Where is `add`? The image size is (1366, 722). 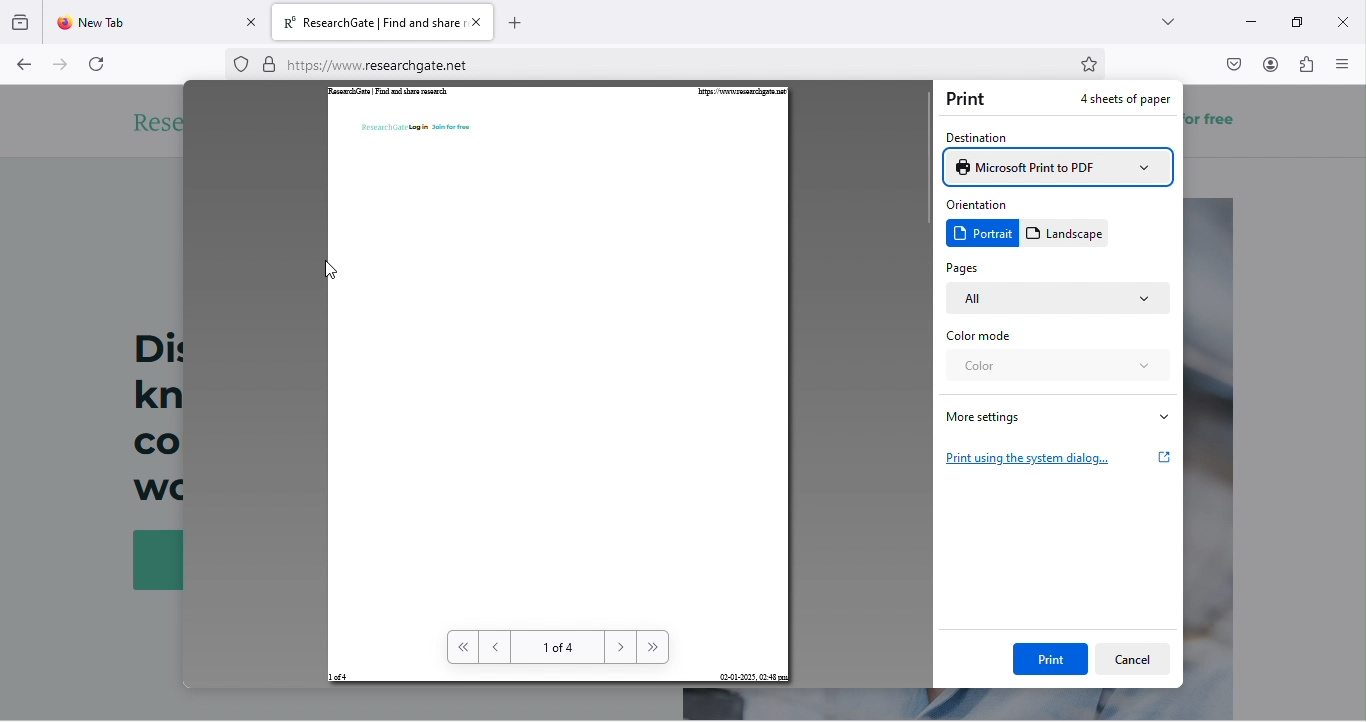
add is located at coordinates (524, 23).